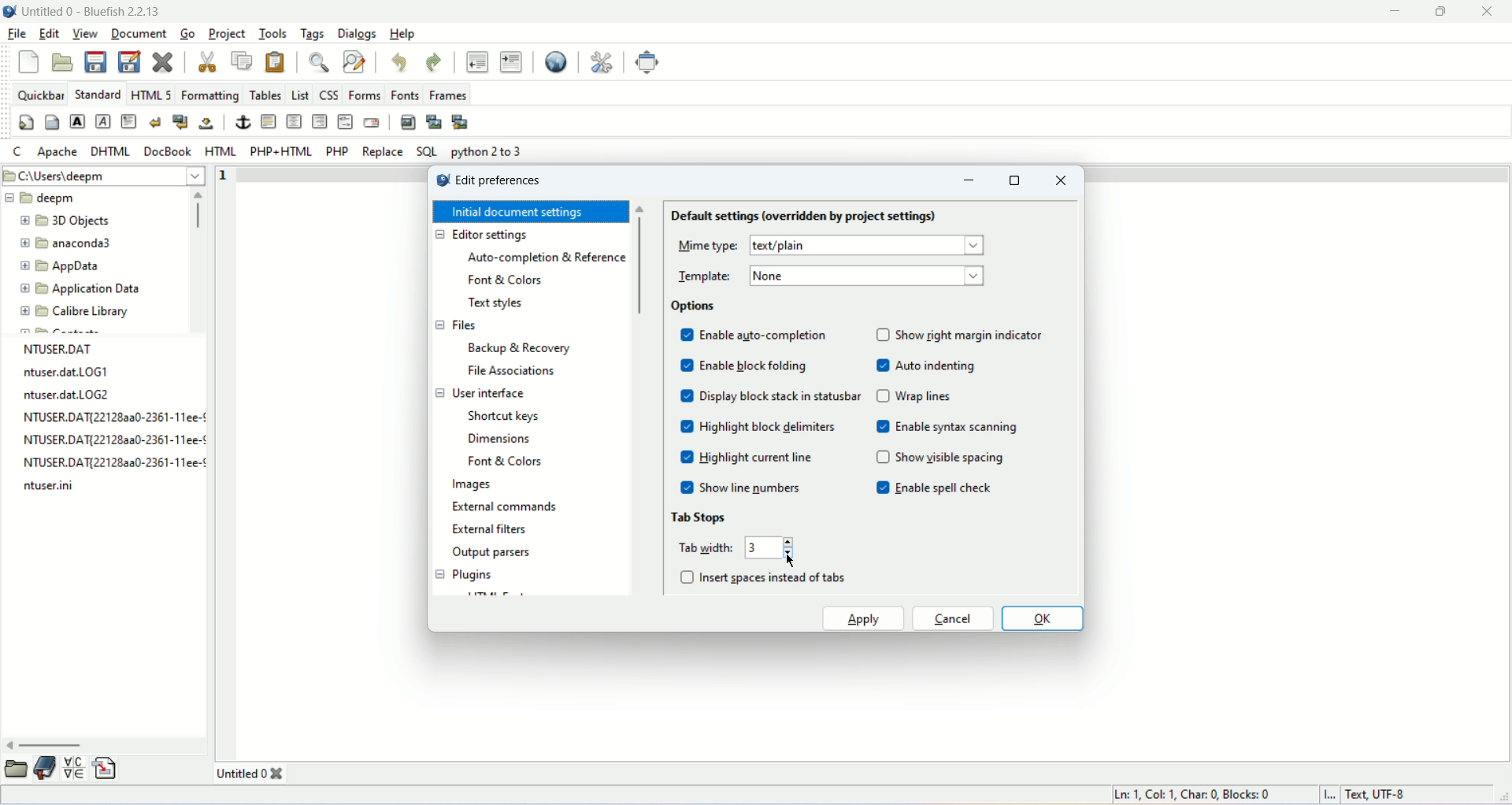 The height and width of the screenshot is (805, 1512). Describe the element at coordinates (44, 770) in the screenshot. I see `bookmark` at that location.